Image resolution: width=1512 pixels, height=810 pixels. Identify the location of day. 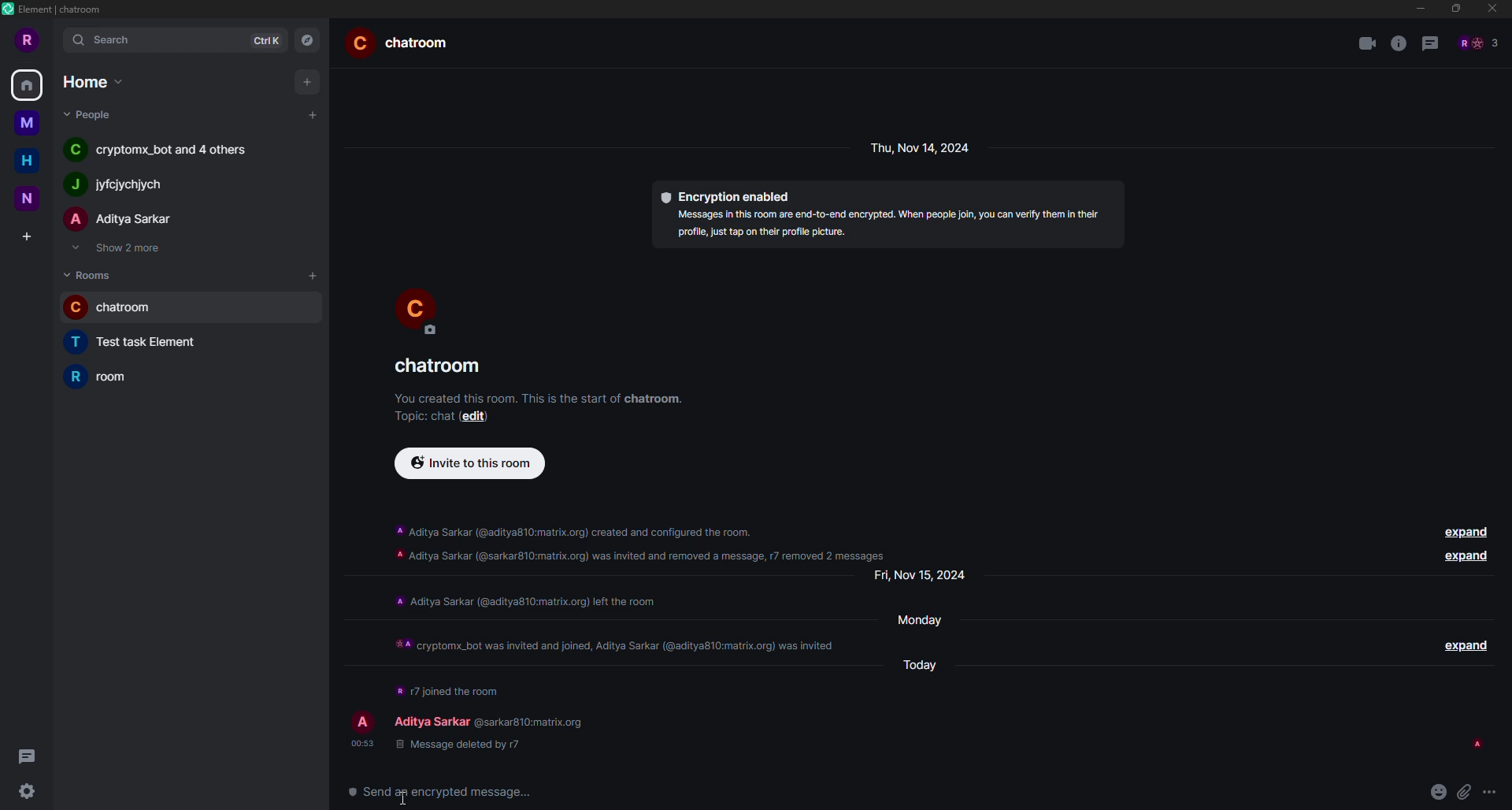
(927, 575).